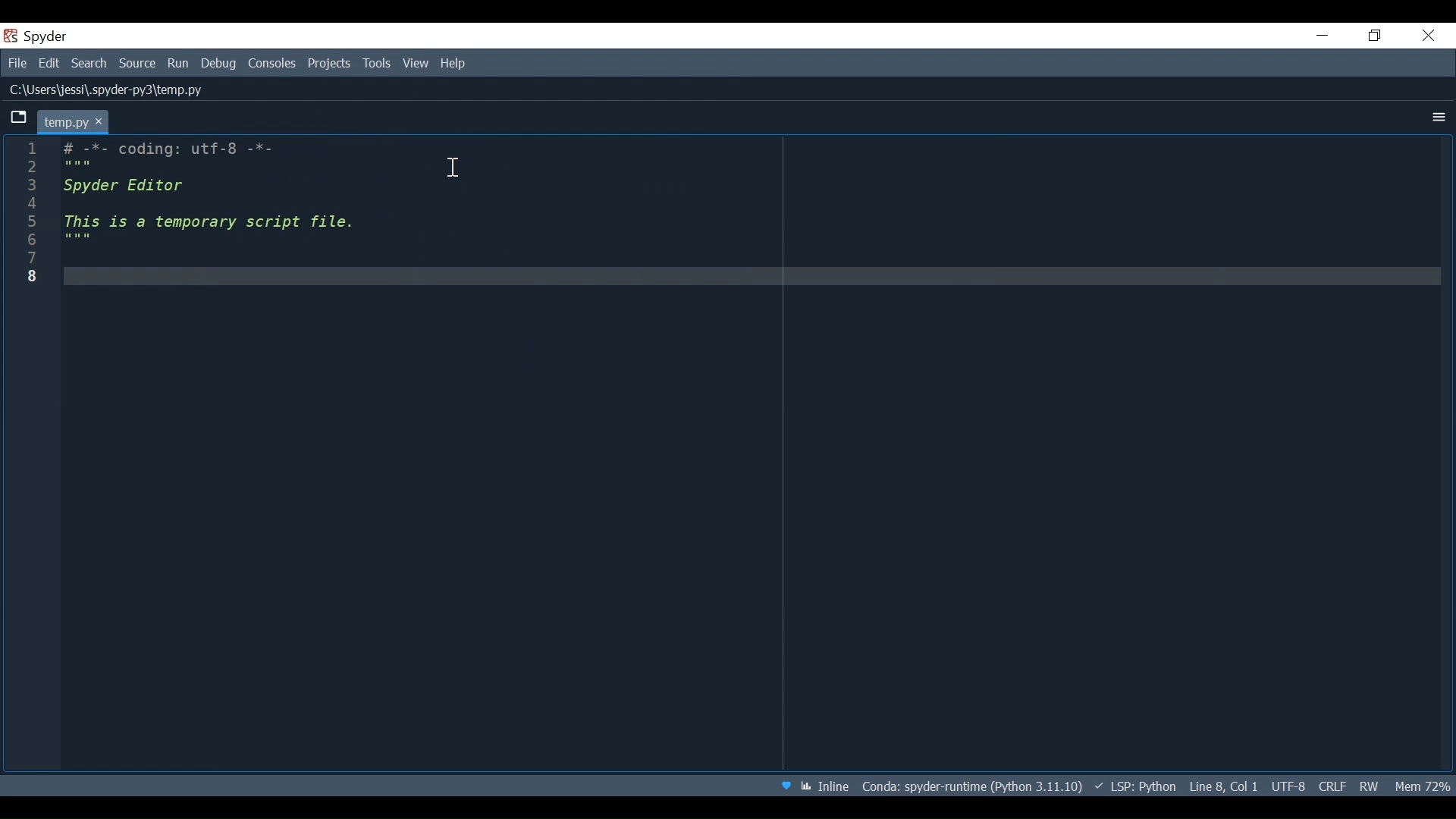 The width and height of the screenshot is (1456, 819). Describe the element at coordinates (1430, 36) in the screenshot. I see `Close` at that location.